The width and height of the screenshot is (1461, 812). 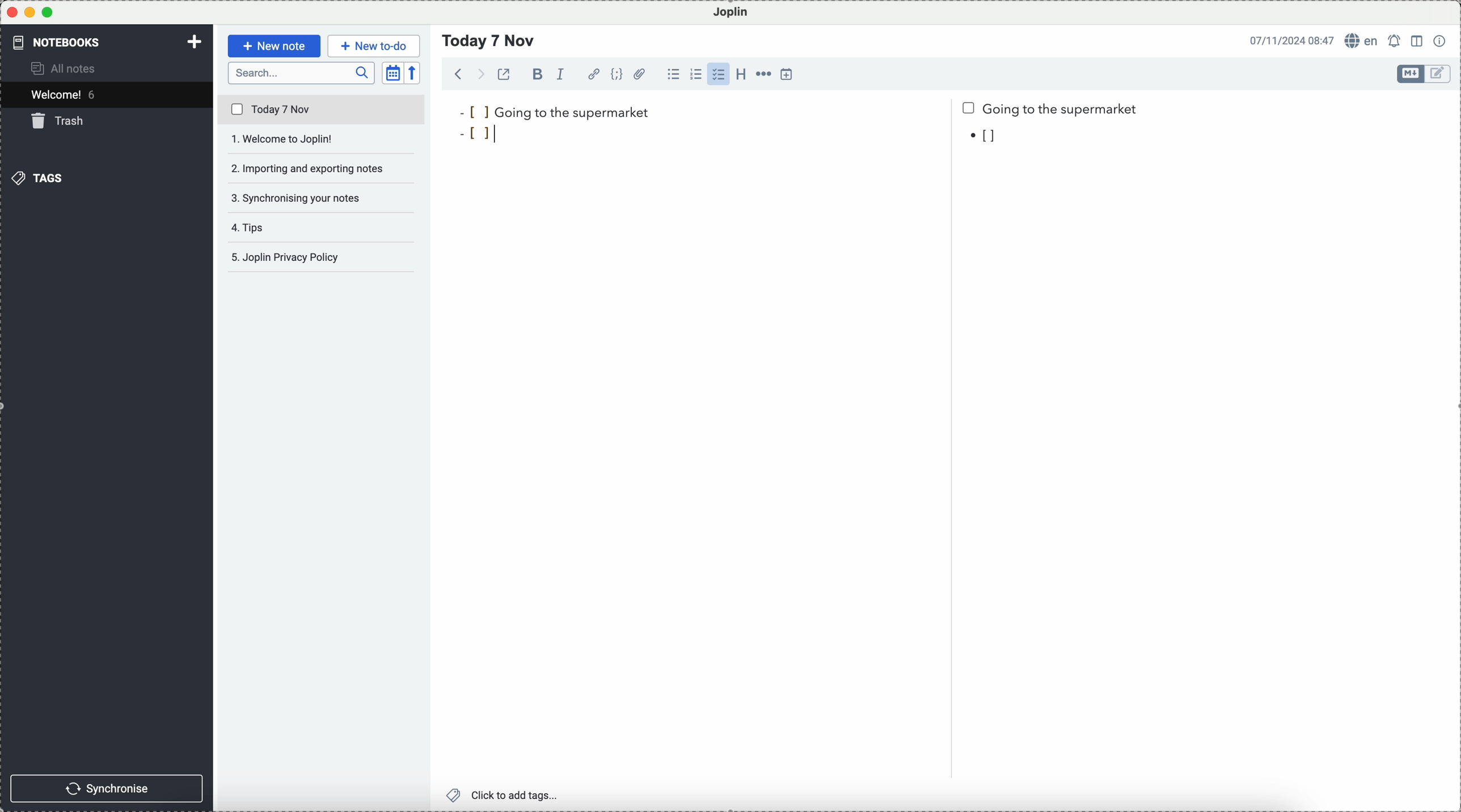 I want to click on all notes, so click(x=65, y=67).